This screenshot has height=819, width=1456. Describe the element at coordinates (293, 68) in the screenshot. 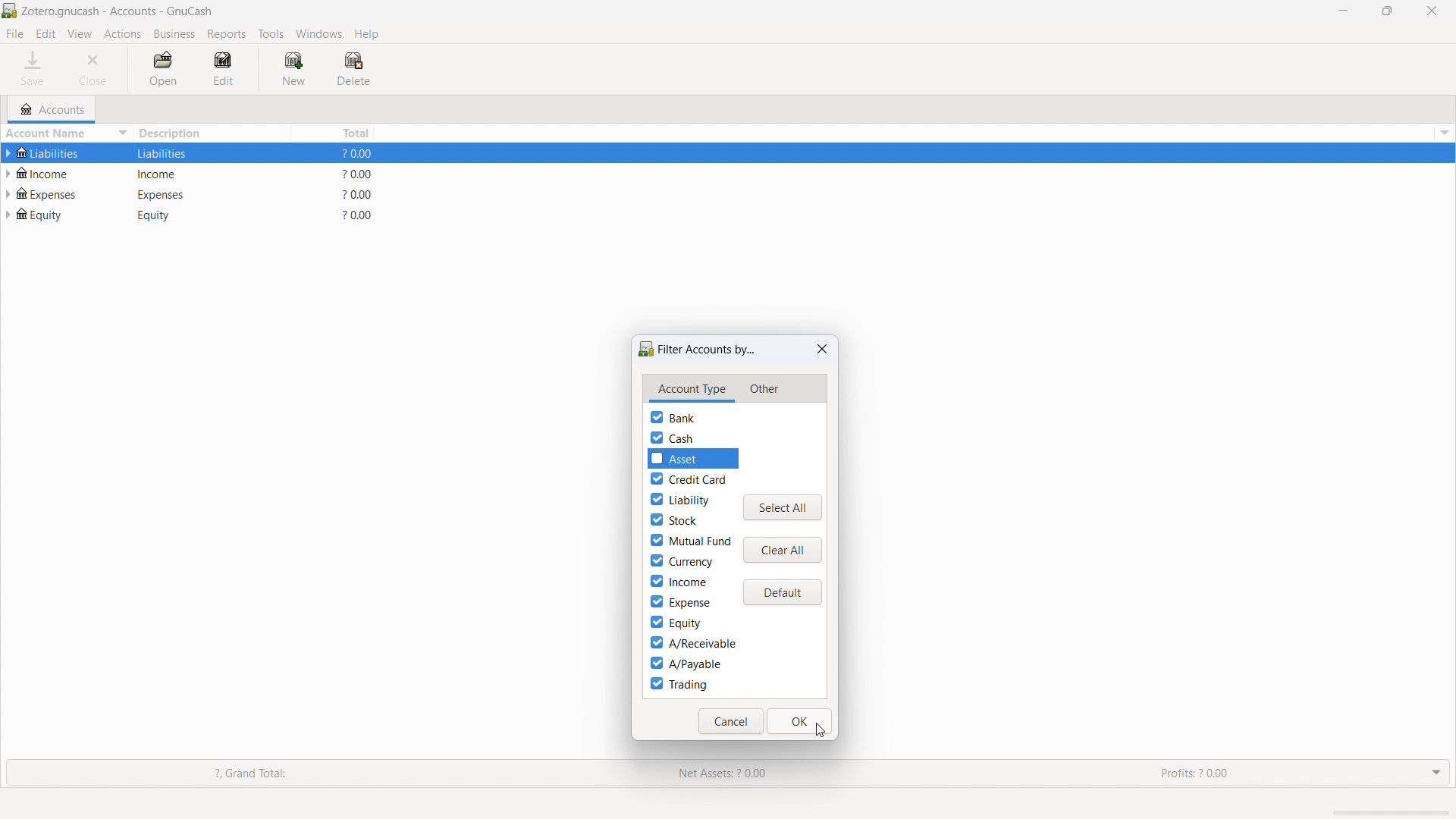

I see `new` at that location.